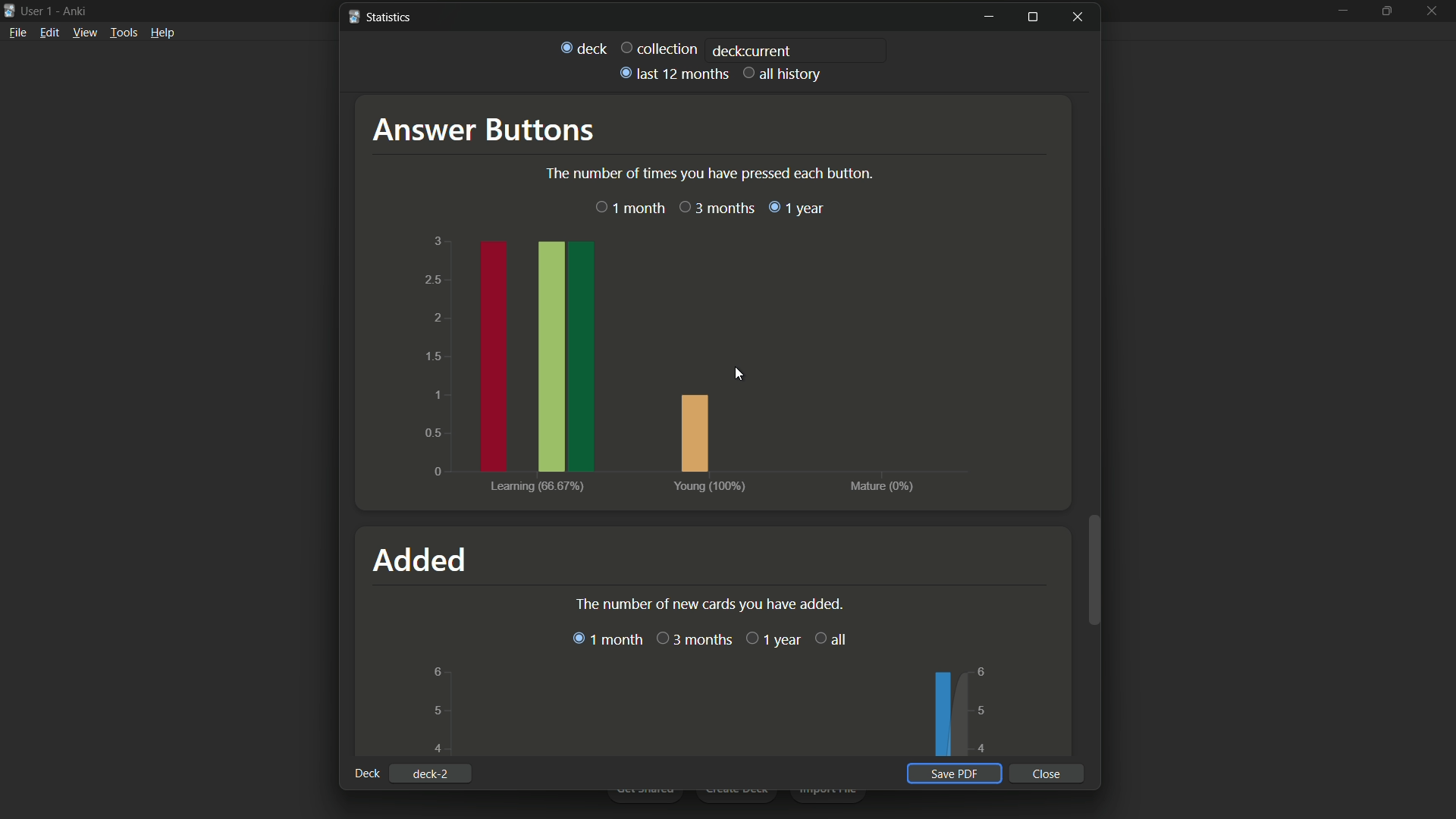  What do you see at coordinates (583, 49) in the screenshot?
I see `Deck` at bounding box center [583, 49].